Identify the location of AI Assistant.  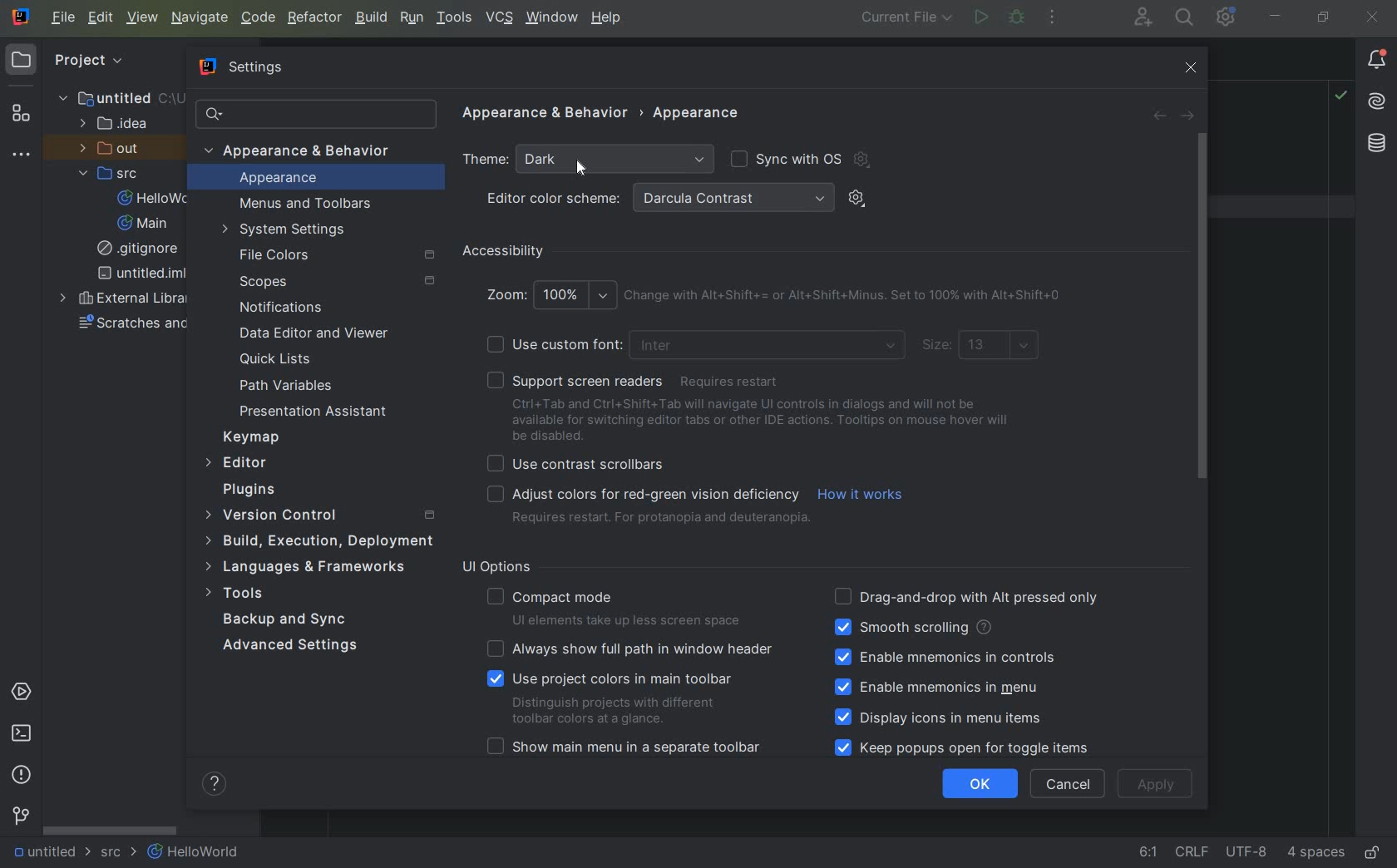
(1376, 101).